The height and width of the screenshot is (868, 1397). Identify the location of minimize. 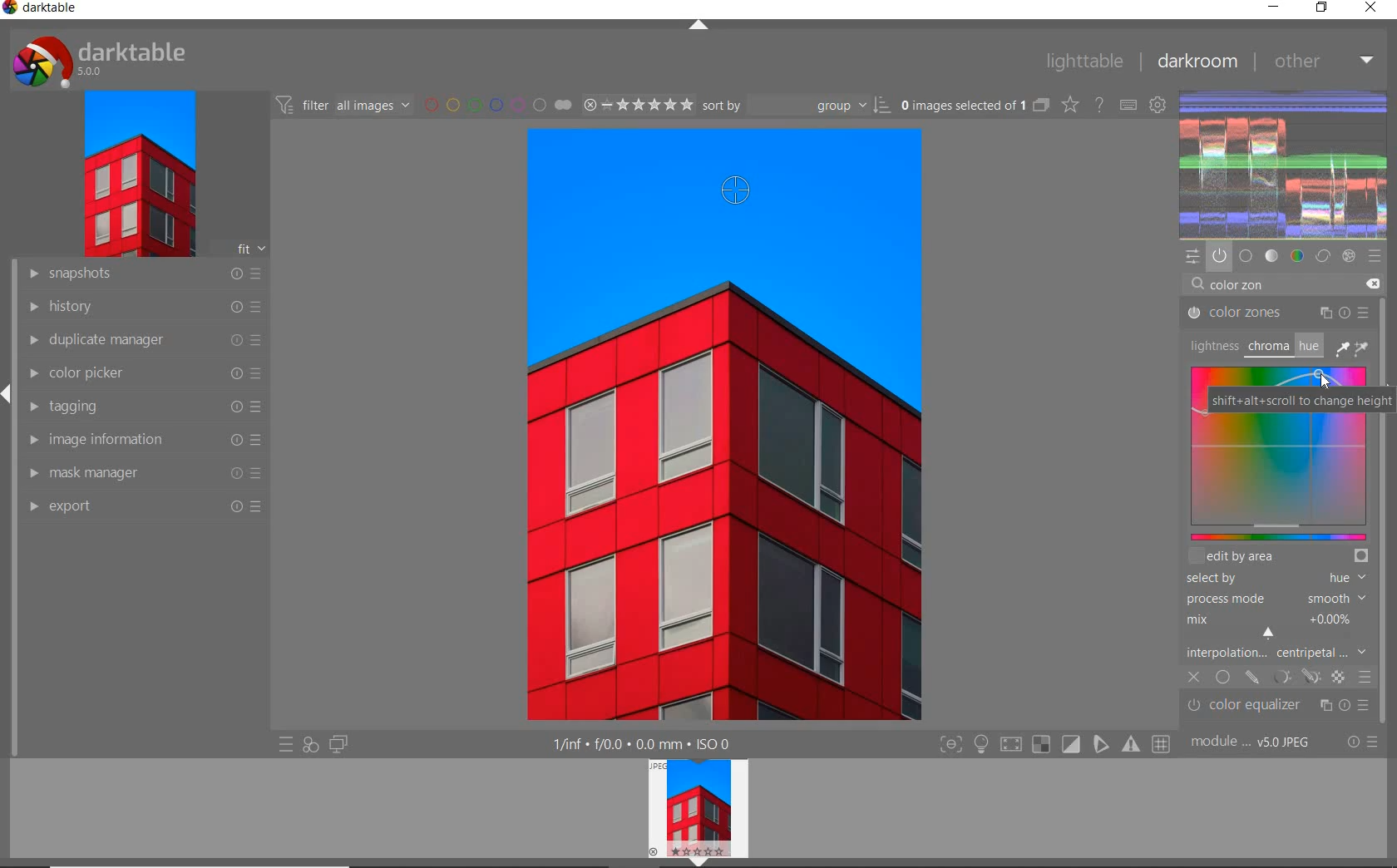
(1274, 8).